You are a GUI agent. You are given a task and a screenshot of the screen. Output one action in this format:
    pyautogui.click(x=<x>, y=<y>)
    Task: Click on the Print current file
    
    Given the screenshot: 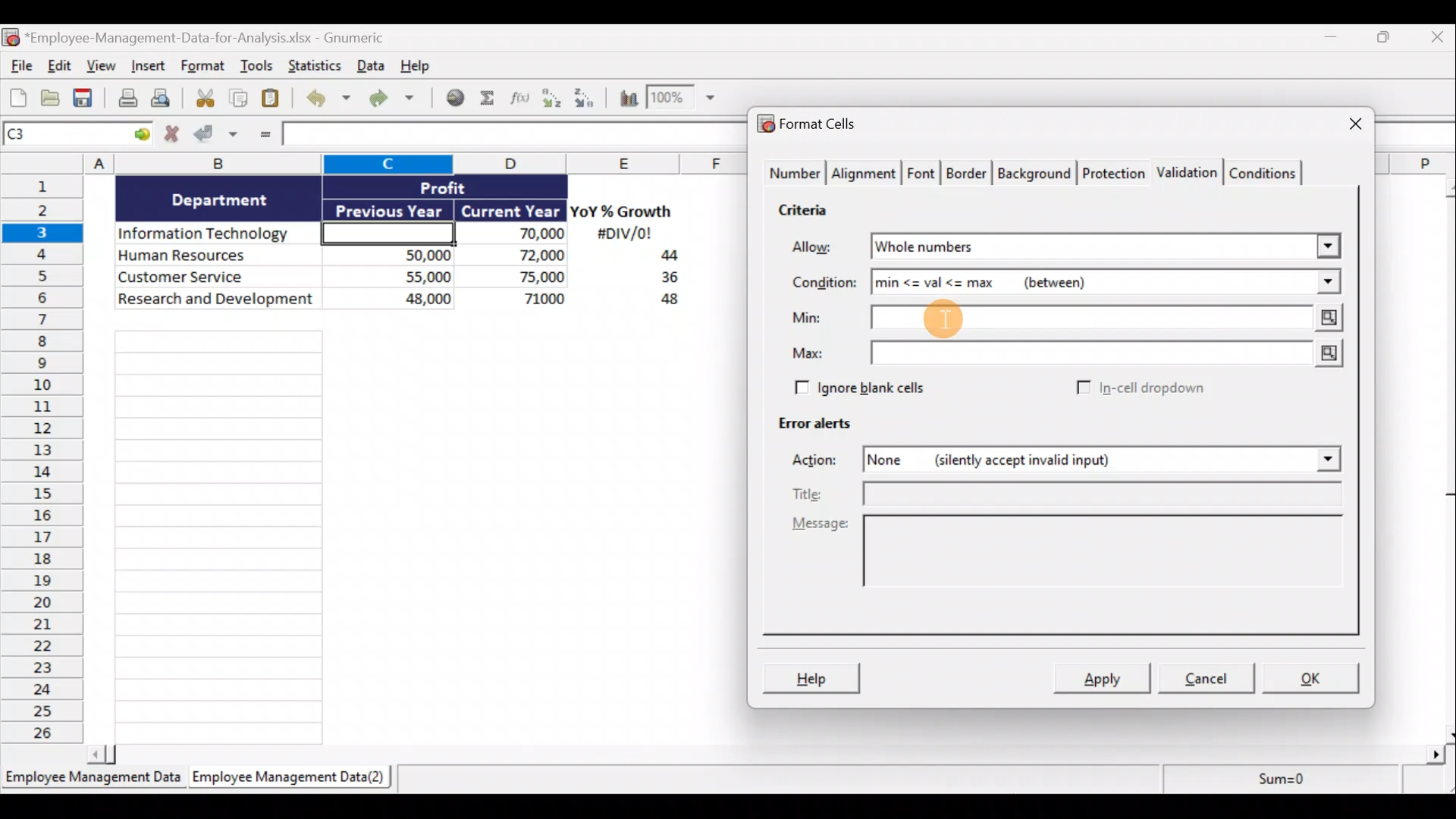 What is the action you would take?
    pyautogui.click(x=125, y=99)
    